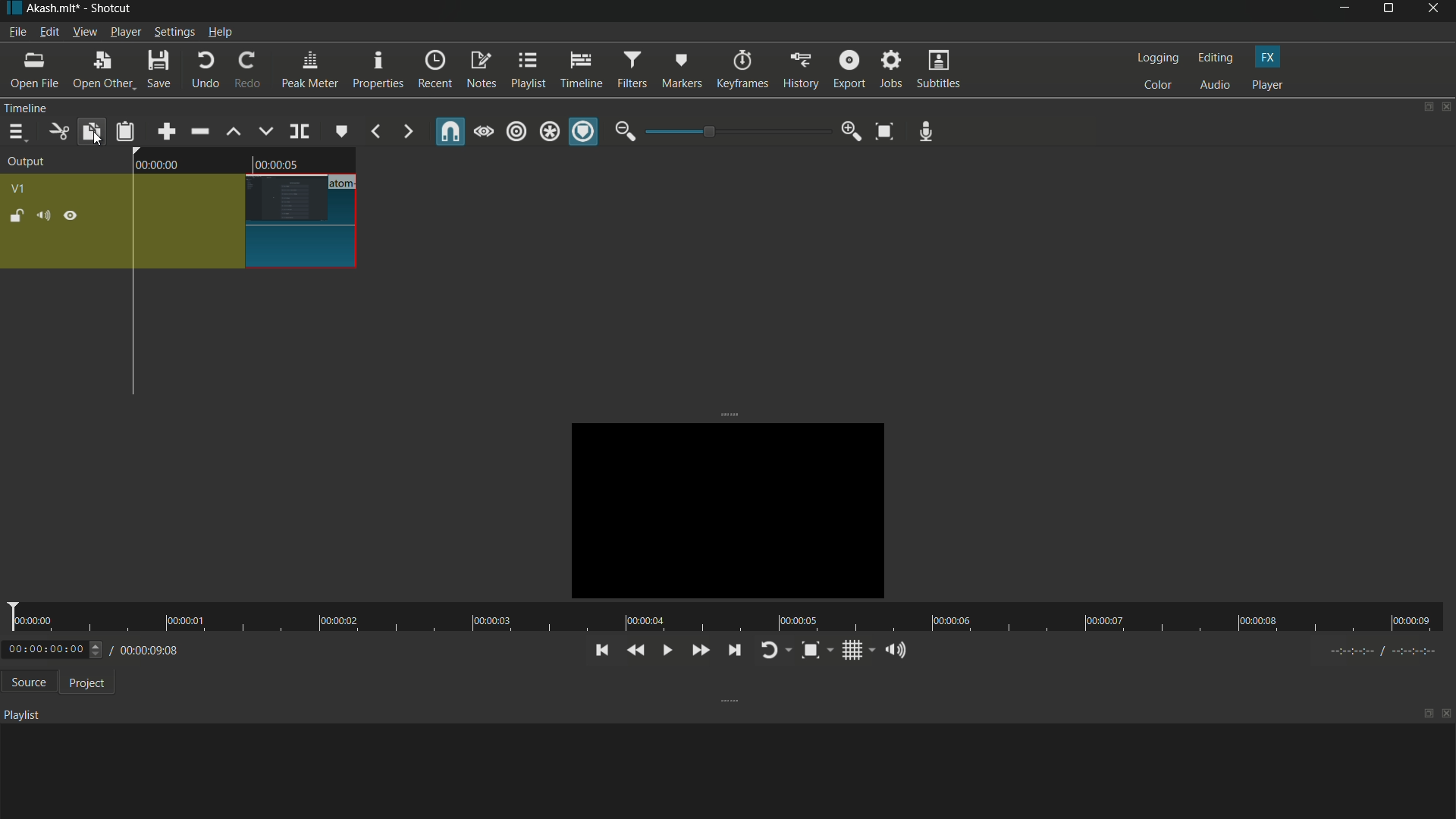 The image size is (1456, 819). I want to click on app icon, so click(11, 9).